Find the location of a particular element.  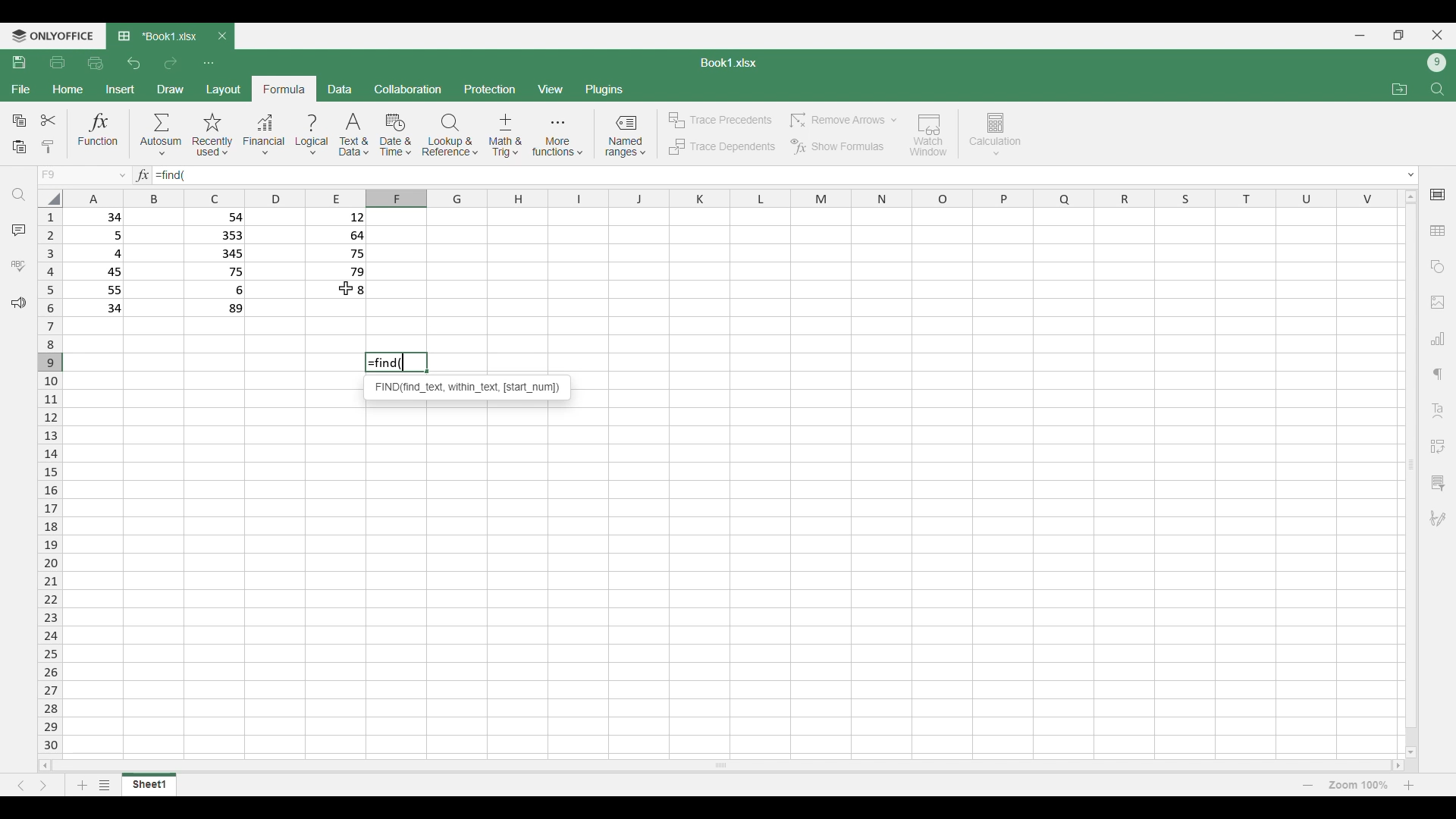

Date and time is located at coordinates (395, 135).